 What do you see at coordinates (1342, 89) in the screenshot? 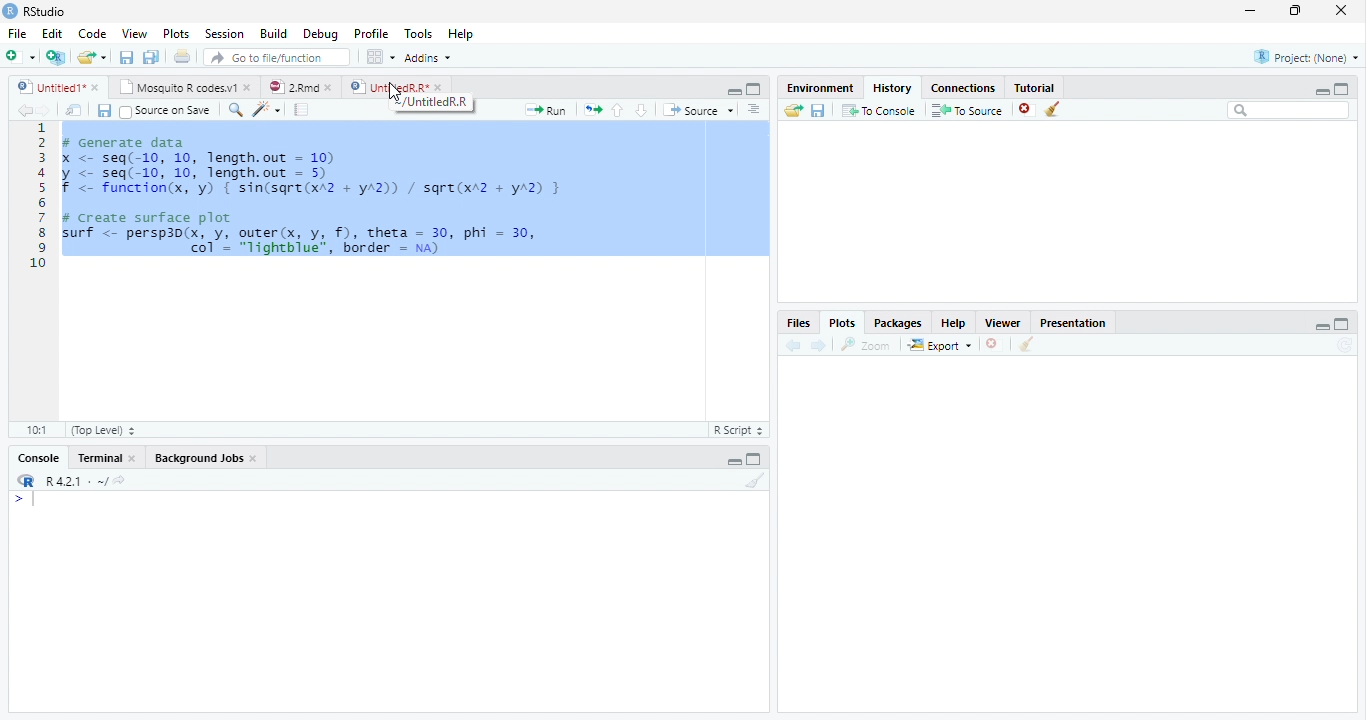
I see `maximize` at bounding box center [1342, 89].